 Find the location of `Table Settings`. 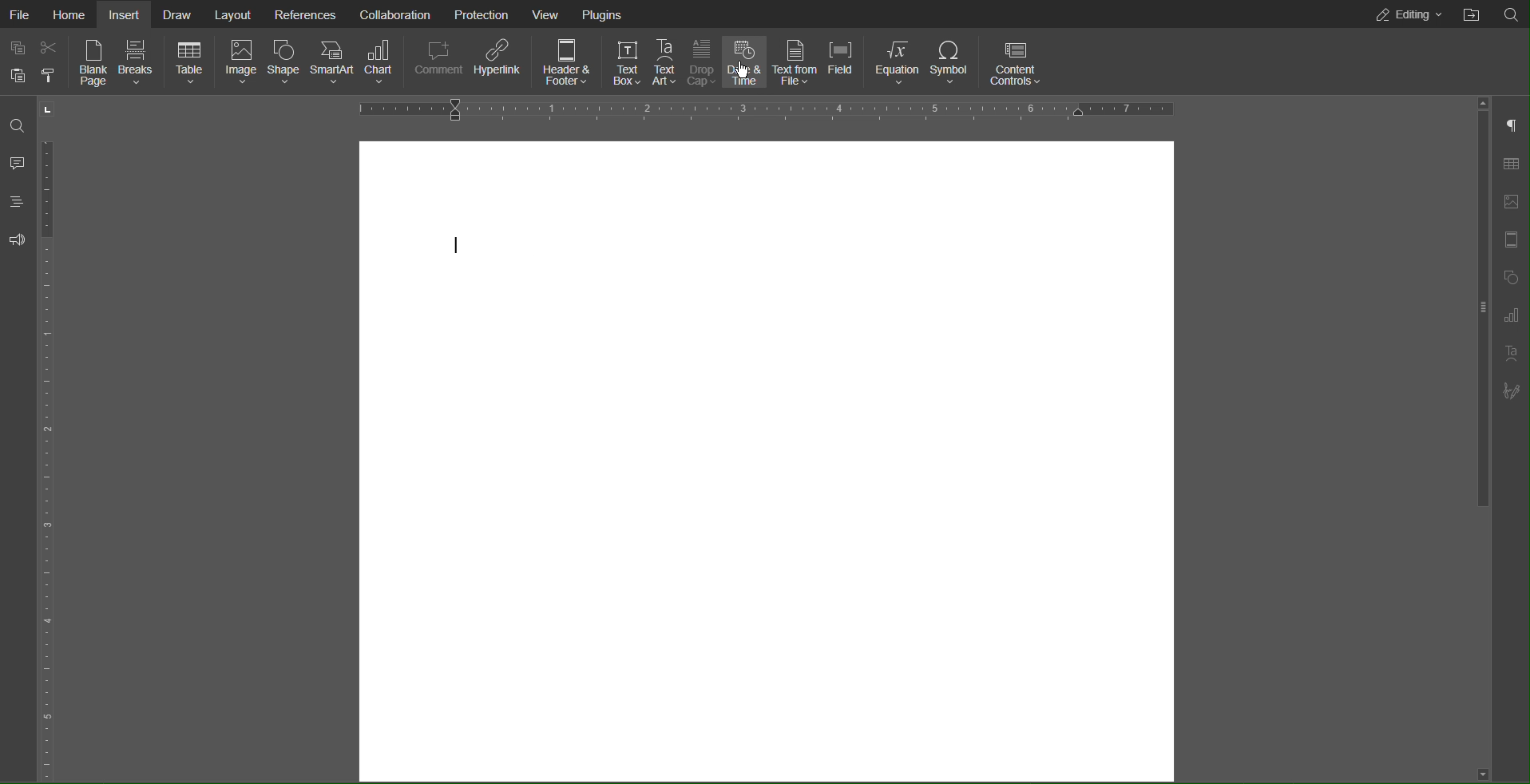

Table Settings is located at coordinates (1510, 164).